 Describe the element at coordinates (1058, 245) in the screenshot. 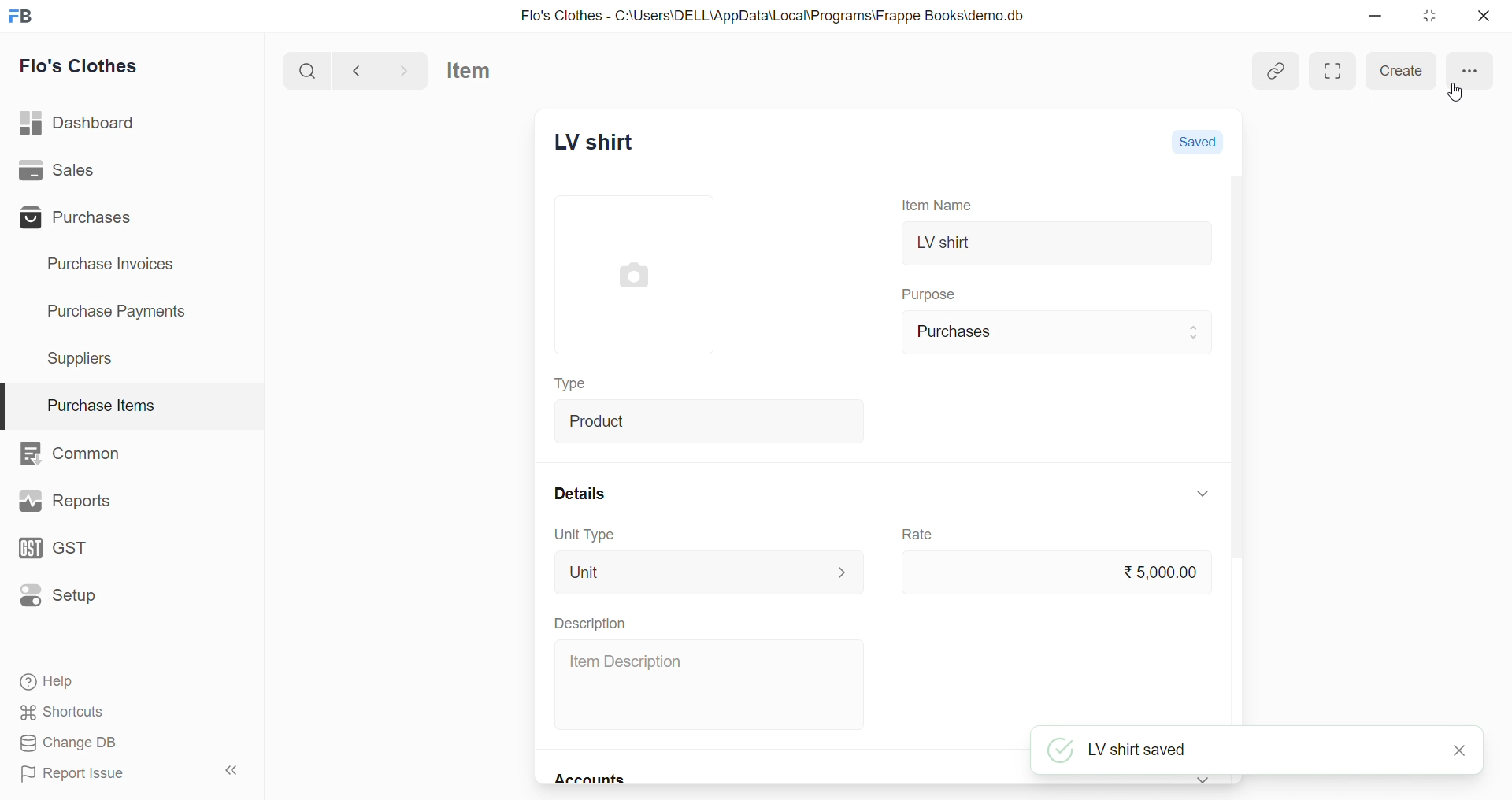

I see `LV shirt` at that location.